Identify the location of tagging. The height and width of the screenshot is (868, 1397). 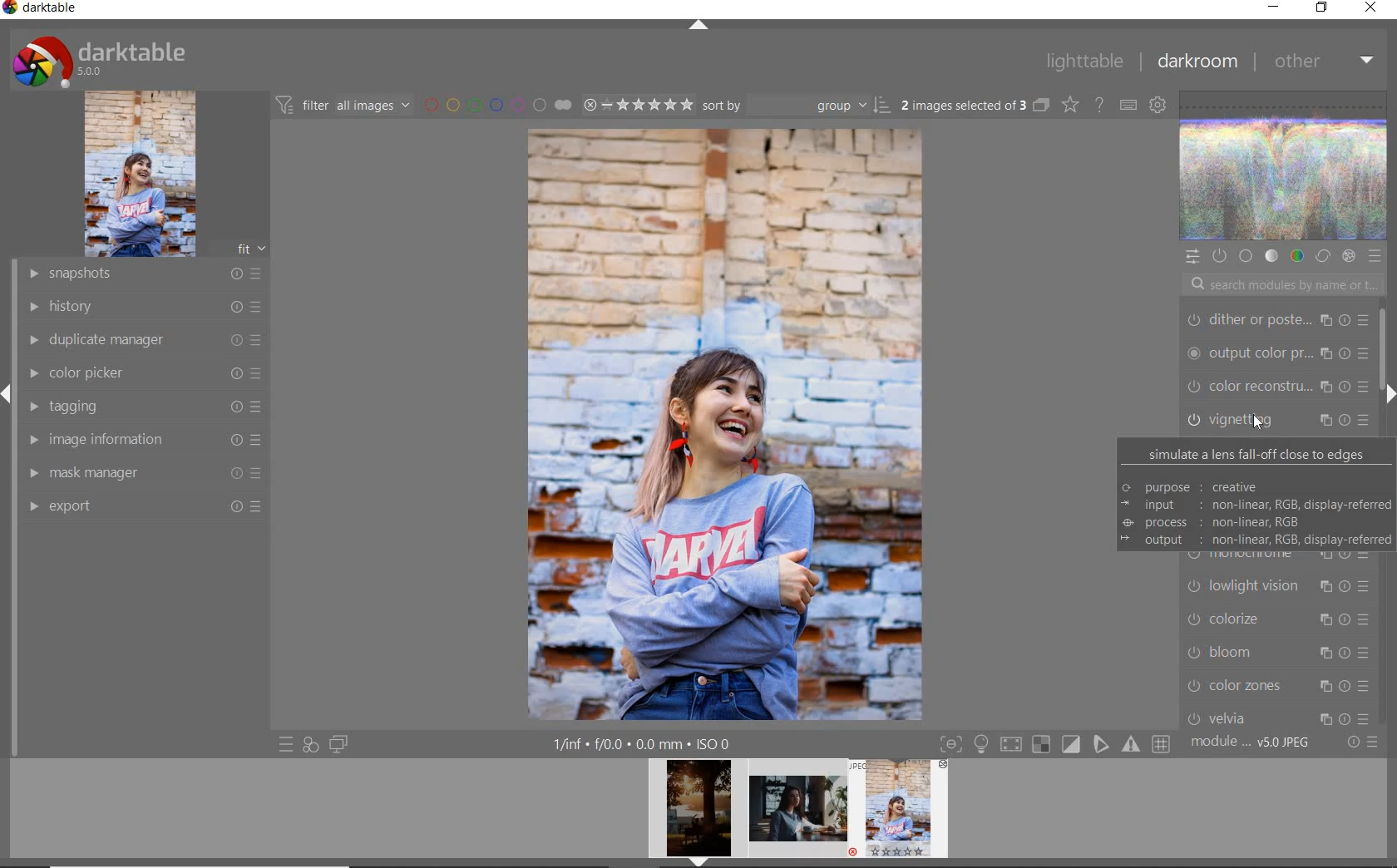
(140, 405).